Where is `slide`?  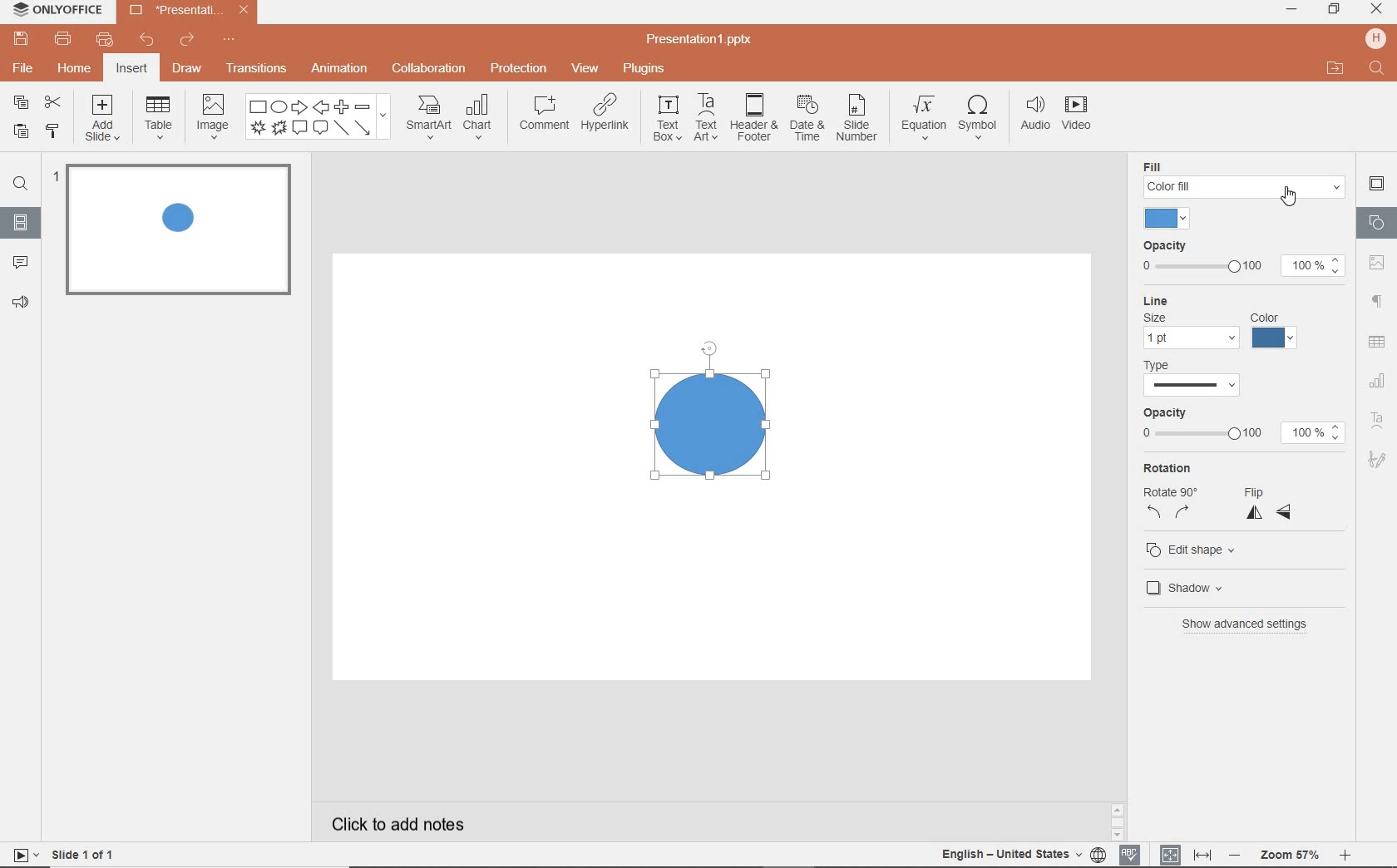 slide is located at coordinates (176, 229).